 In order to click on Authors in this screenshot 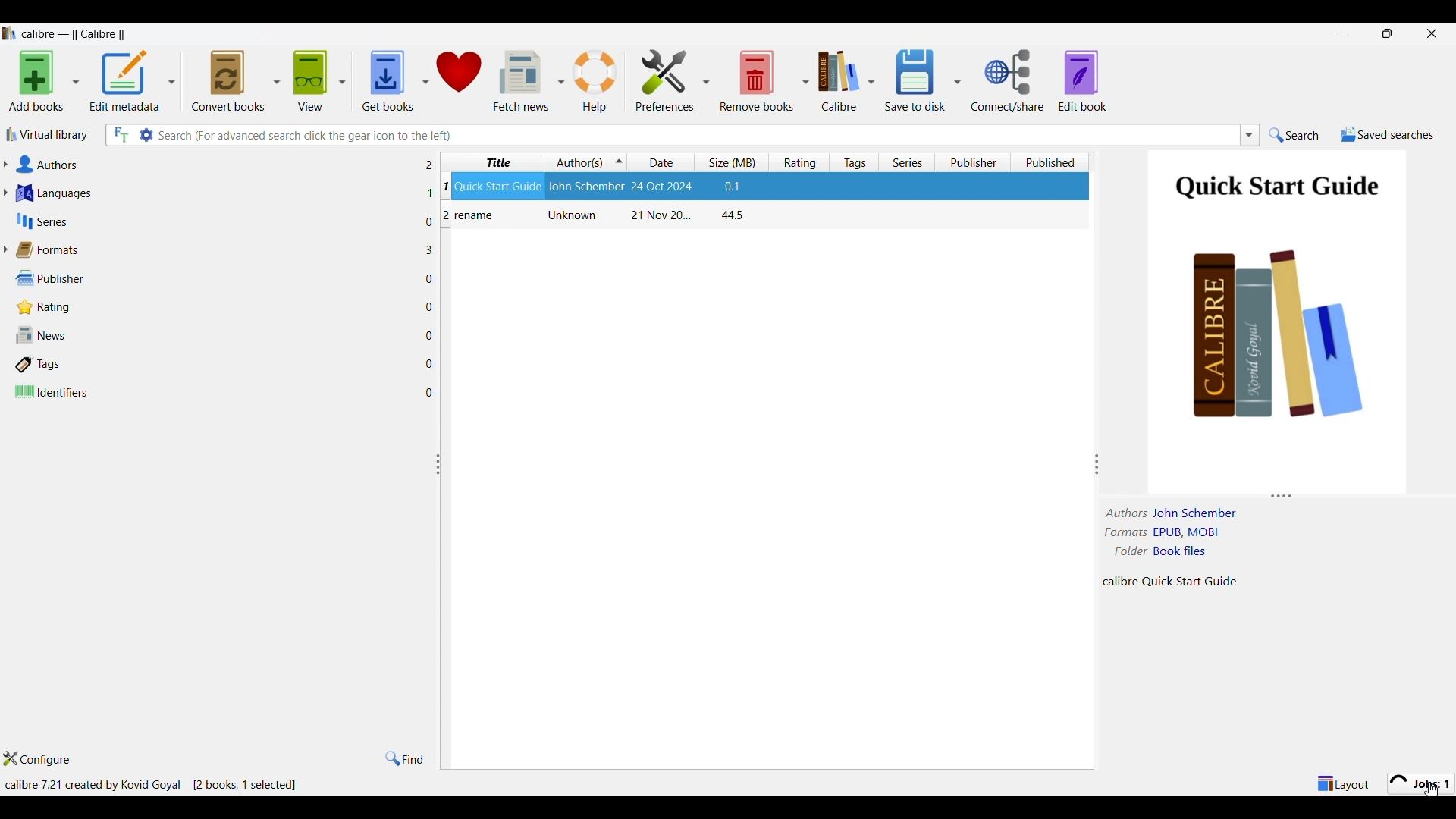, I will do `click(213, 164)`.